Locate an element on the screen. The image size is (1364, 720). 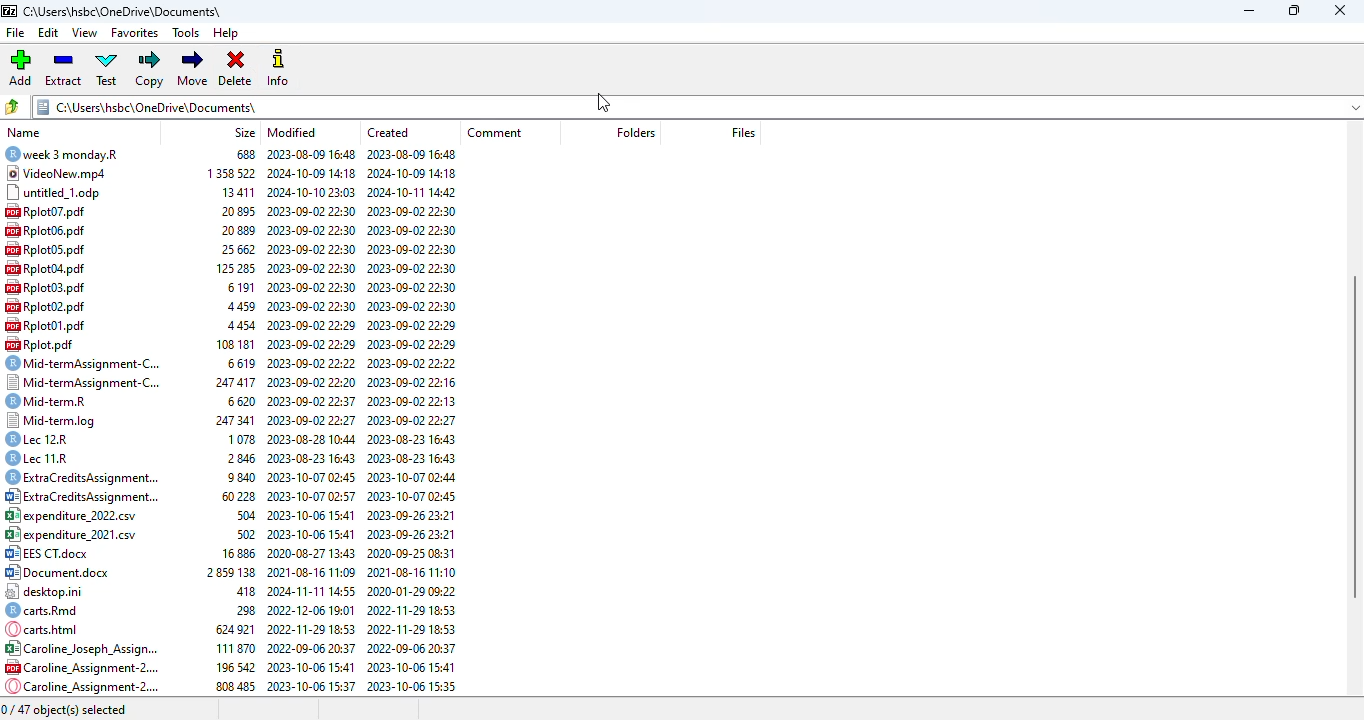
close is located at coordinates (1340, 10).